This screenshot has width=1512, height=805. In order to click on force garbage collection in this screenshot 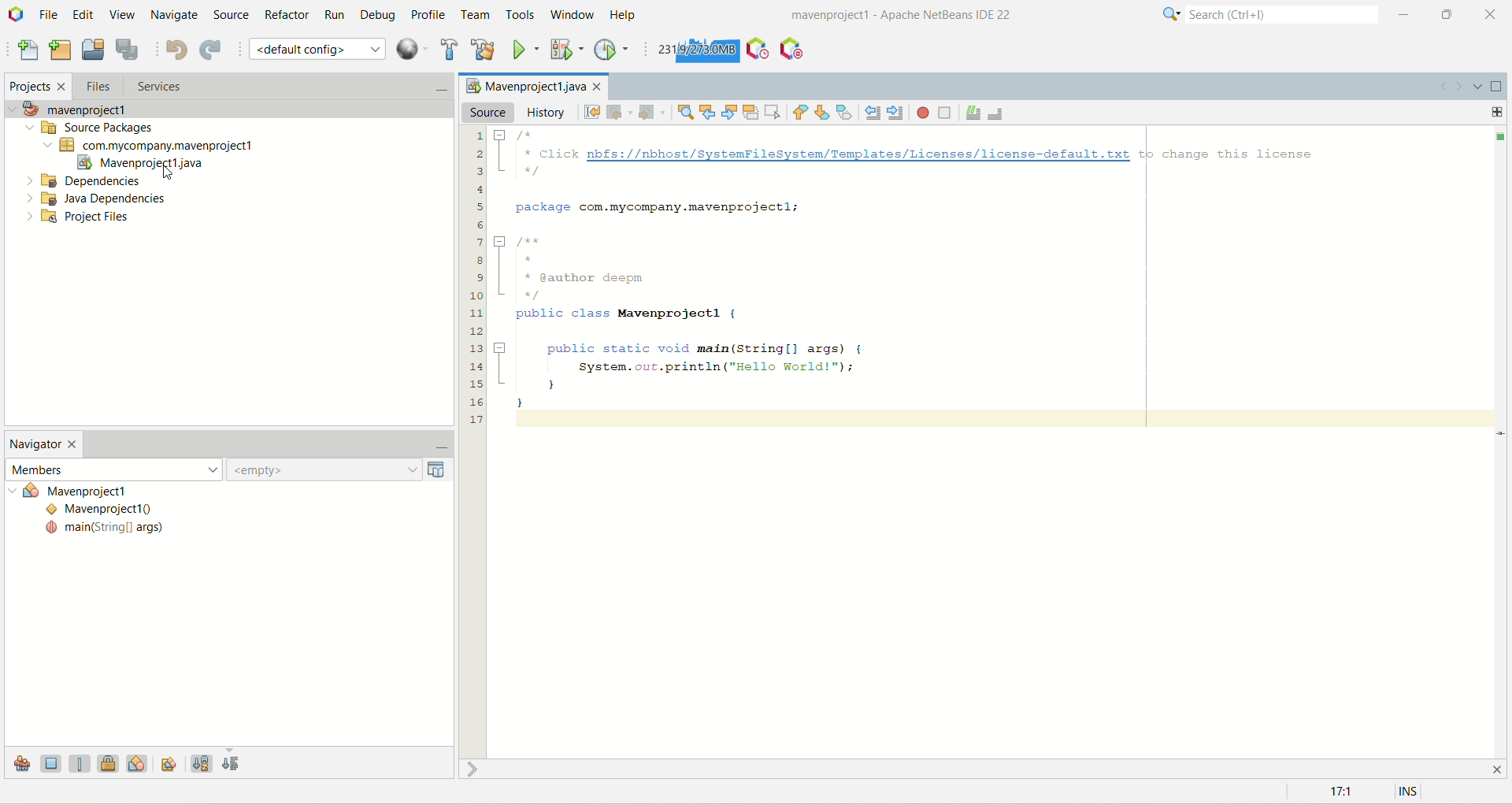, I will do `click(696, 50)`.